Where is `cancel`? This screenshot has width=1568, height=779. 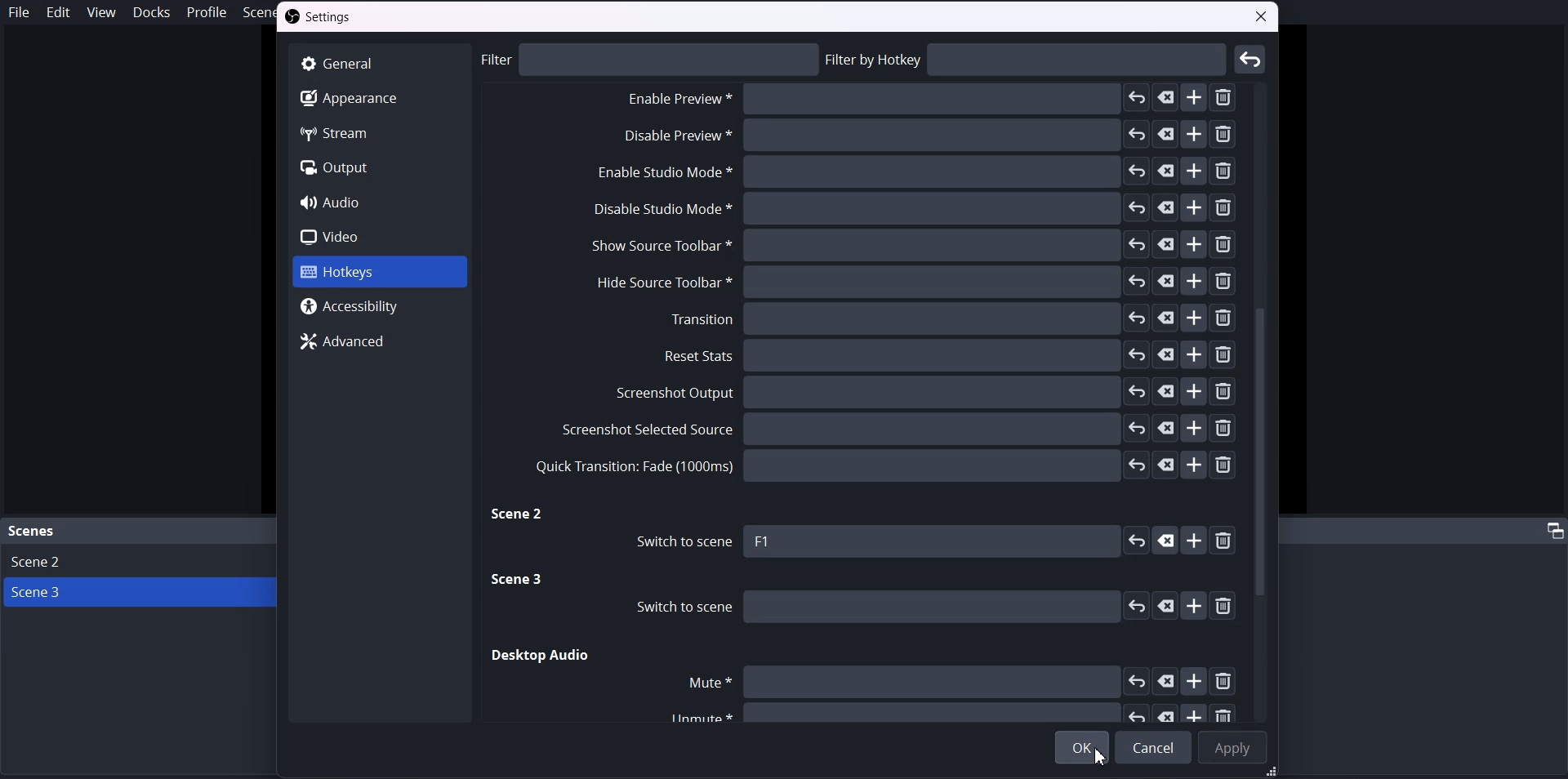 cancel is located at coordinates (1165, 540).